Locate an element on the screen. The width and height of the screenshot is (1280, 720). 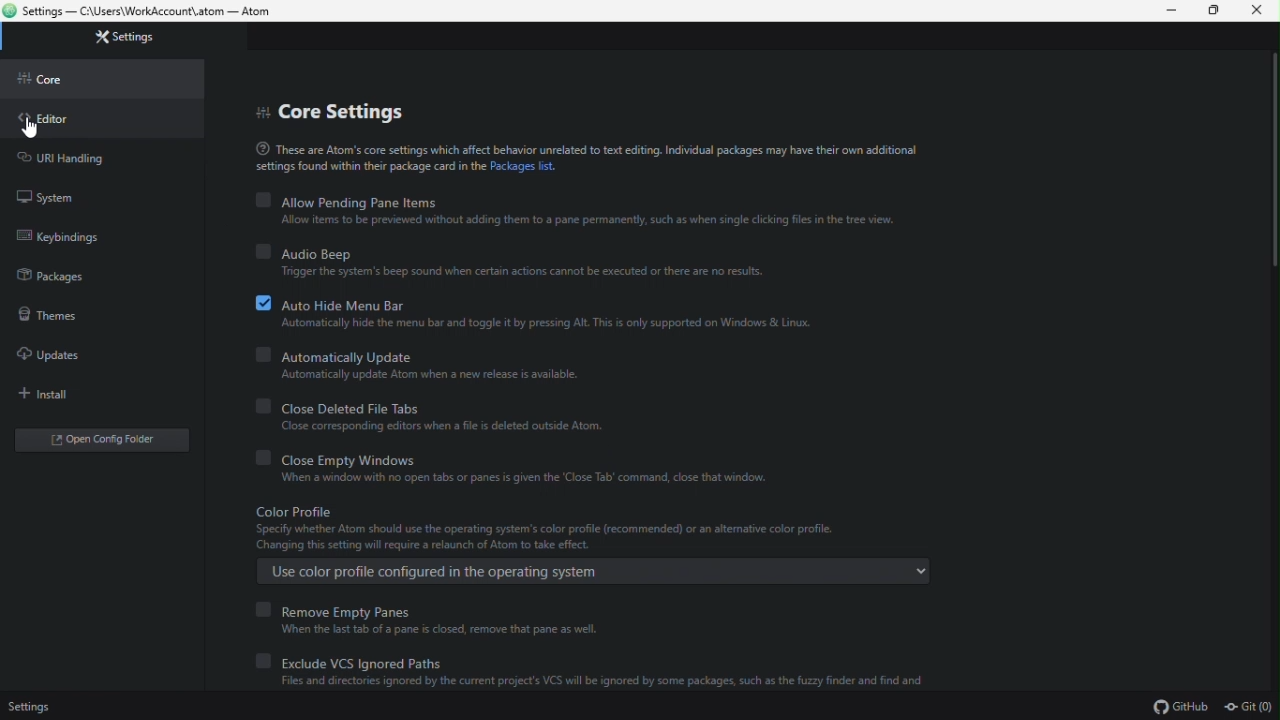
git is located at coordinates (1250, 707).